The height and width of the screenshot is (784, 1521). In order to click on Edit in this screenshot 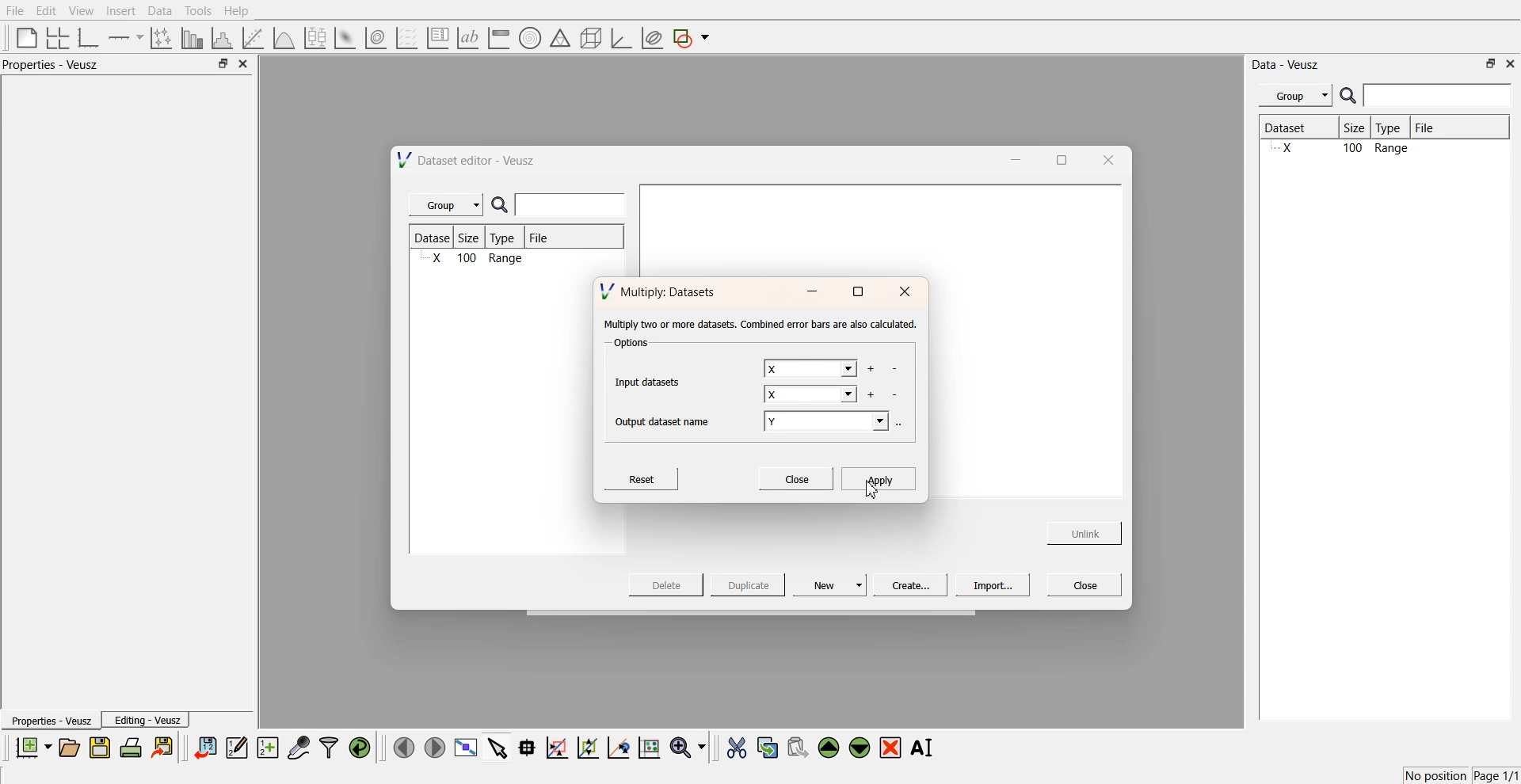, I will do `click(47, 10)`.